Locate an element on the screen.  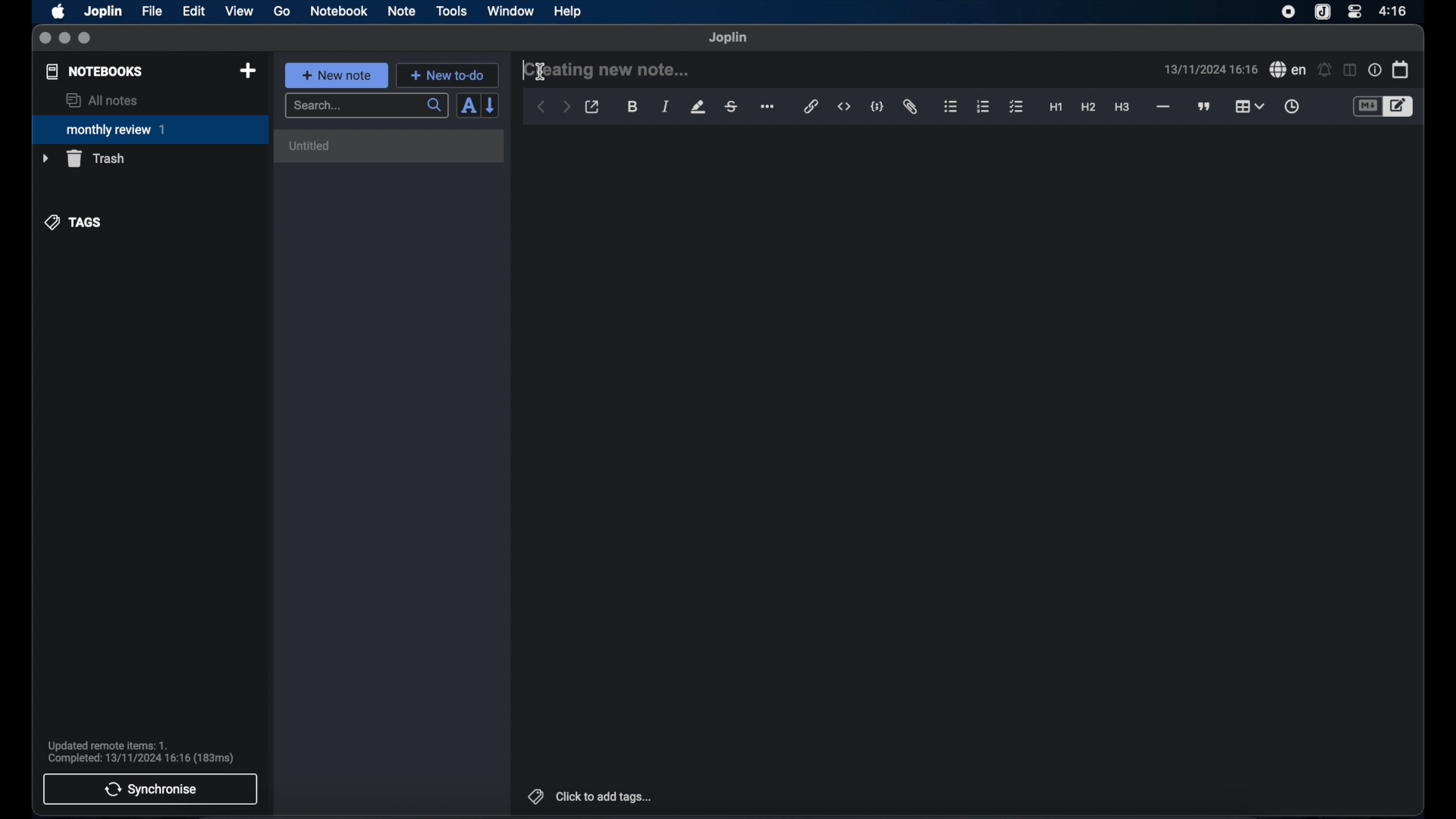
monthly review is located at coordinates (150, 128).